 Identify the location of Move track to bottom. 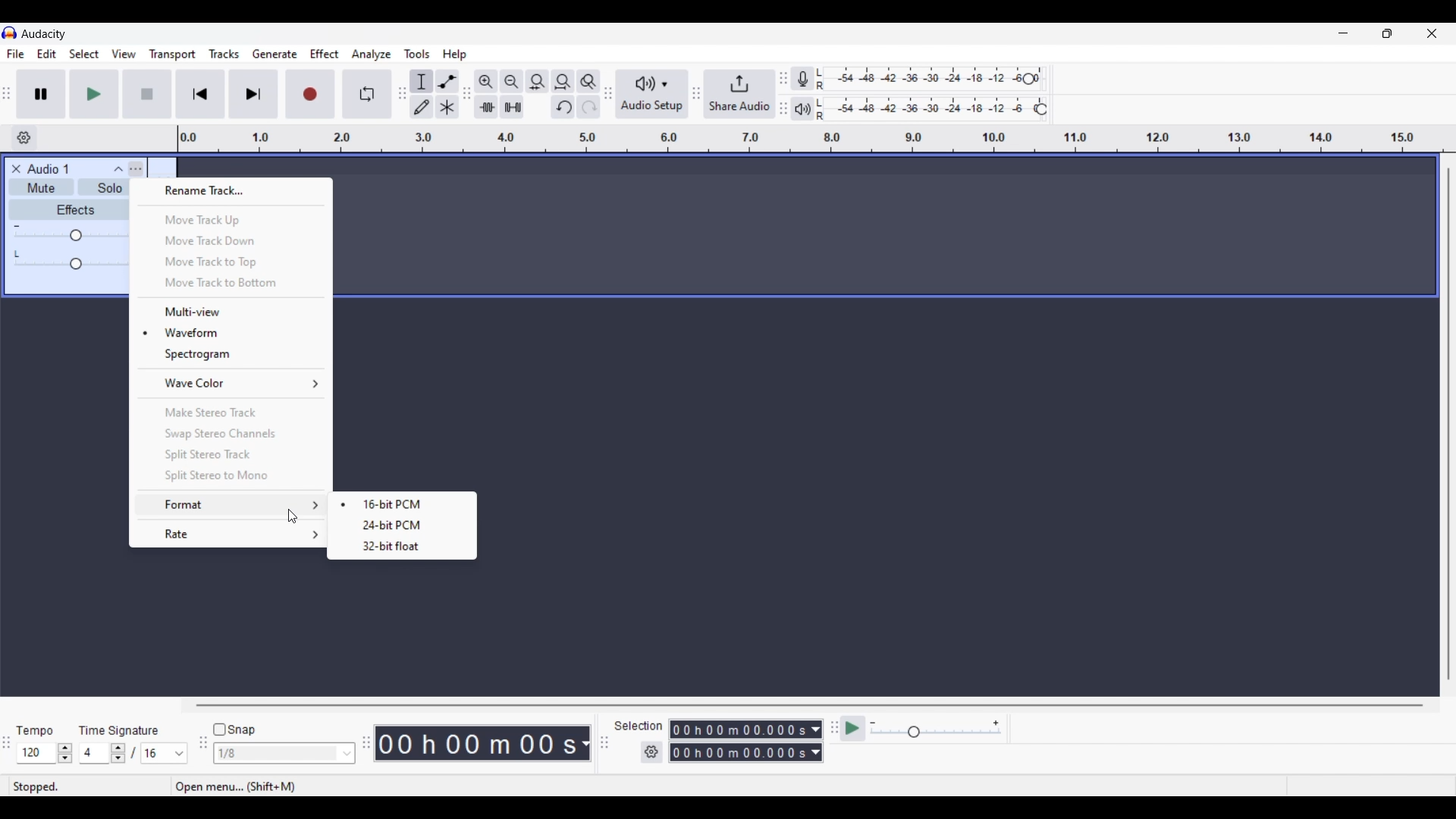
(231, 284).